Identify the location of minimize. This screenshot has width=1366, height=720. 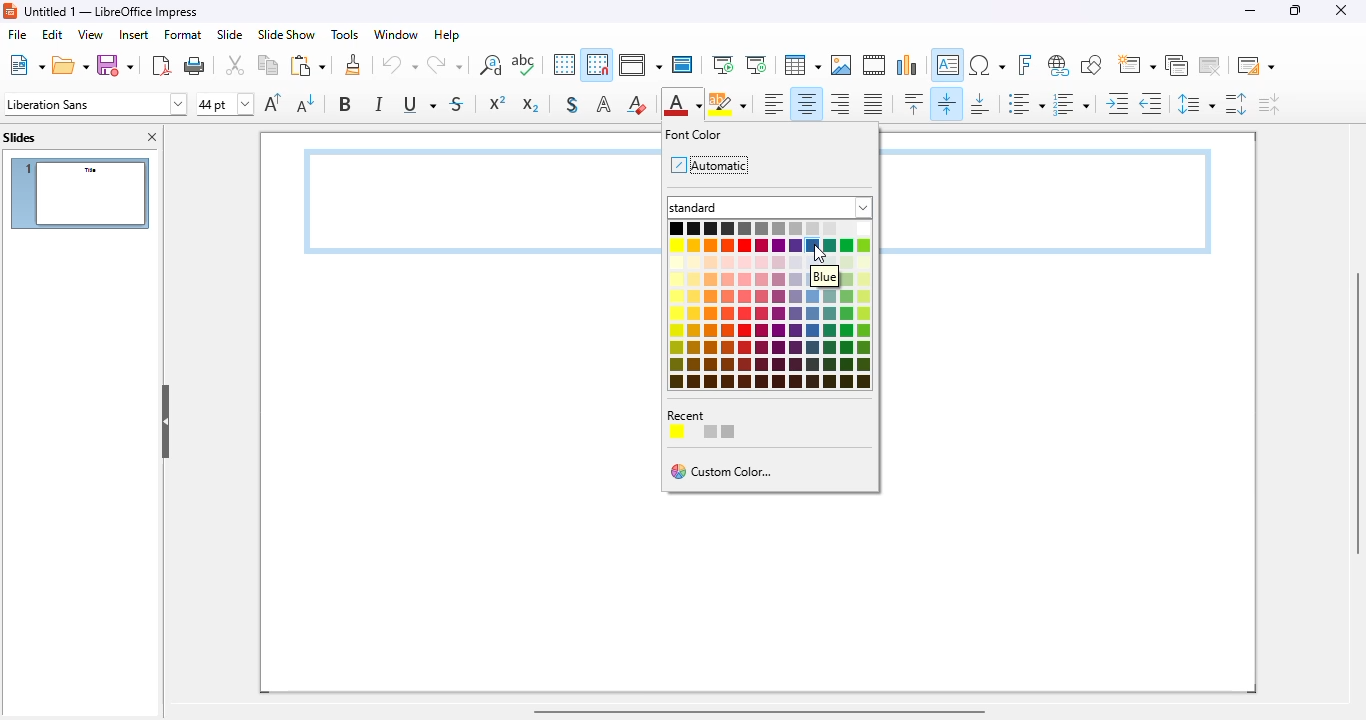
(1250, 11).